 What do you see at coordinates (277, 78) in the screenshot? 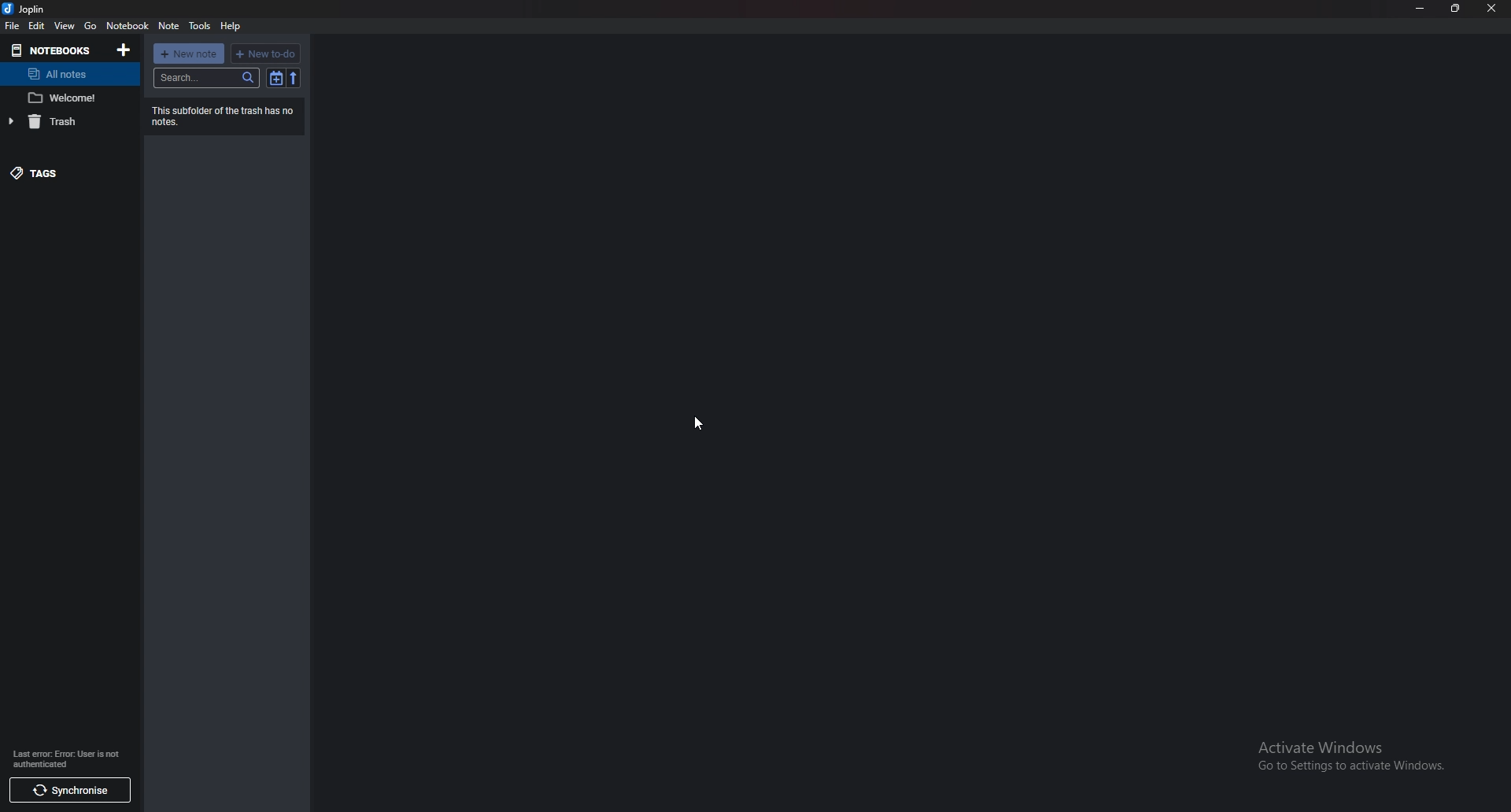
I see `Toggle sort` at bounding box center [277, 78].